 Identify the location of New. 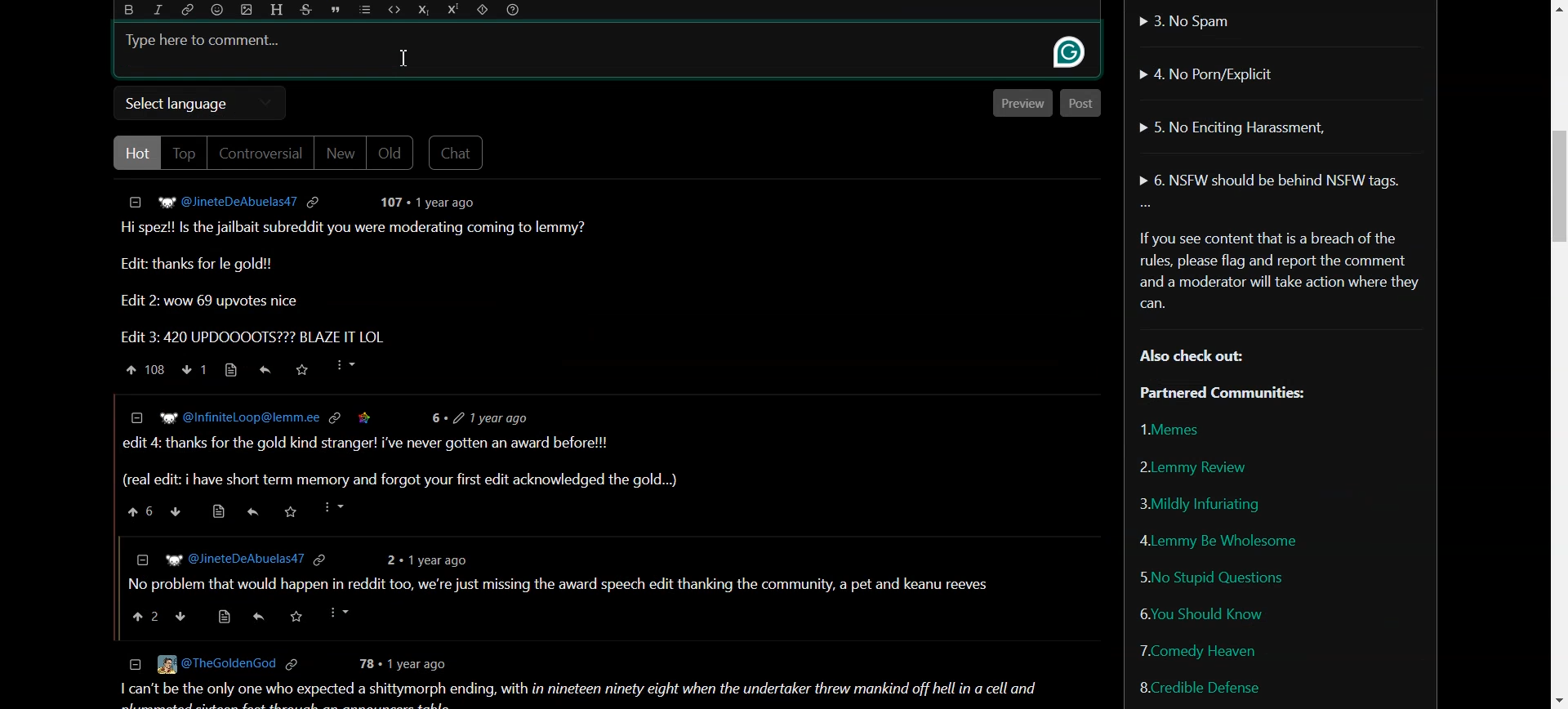
(340, 153).